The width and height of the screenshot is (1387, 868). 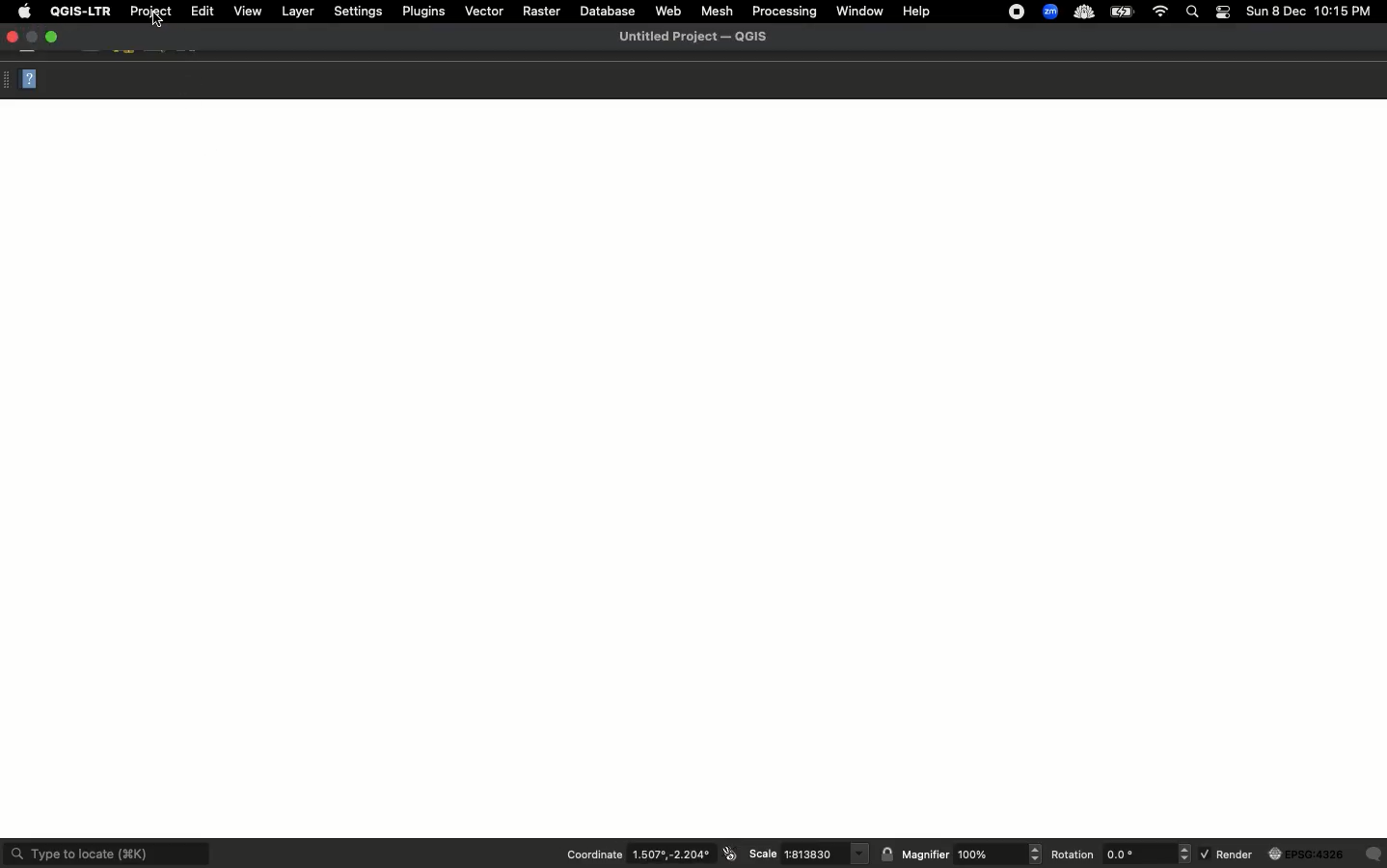 I want to click on Plugins, so click(x=424, y=12).